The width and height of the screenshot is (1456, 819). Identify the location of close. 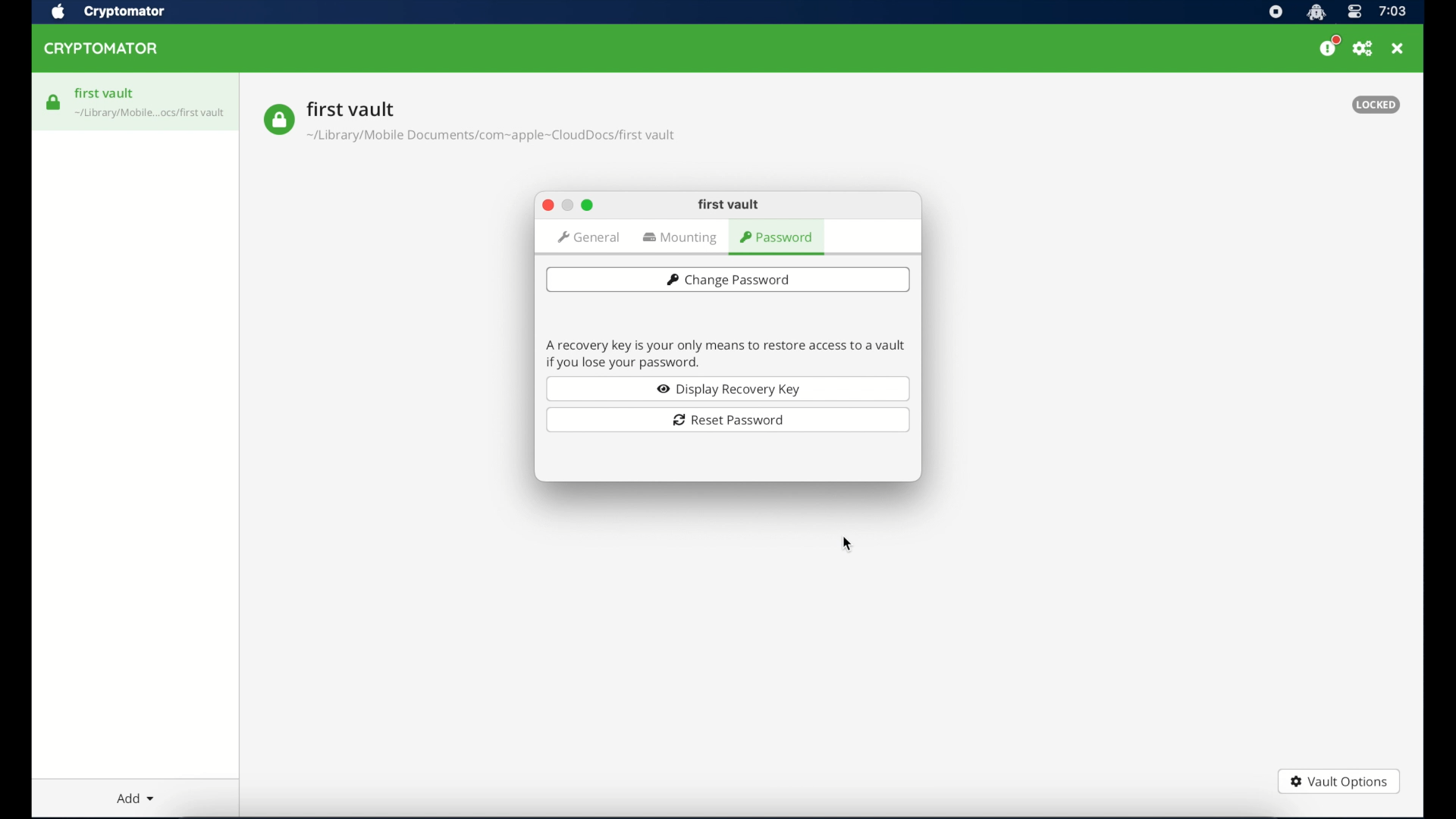
(1398, 49).